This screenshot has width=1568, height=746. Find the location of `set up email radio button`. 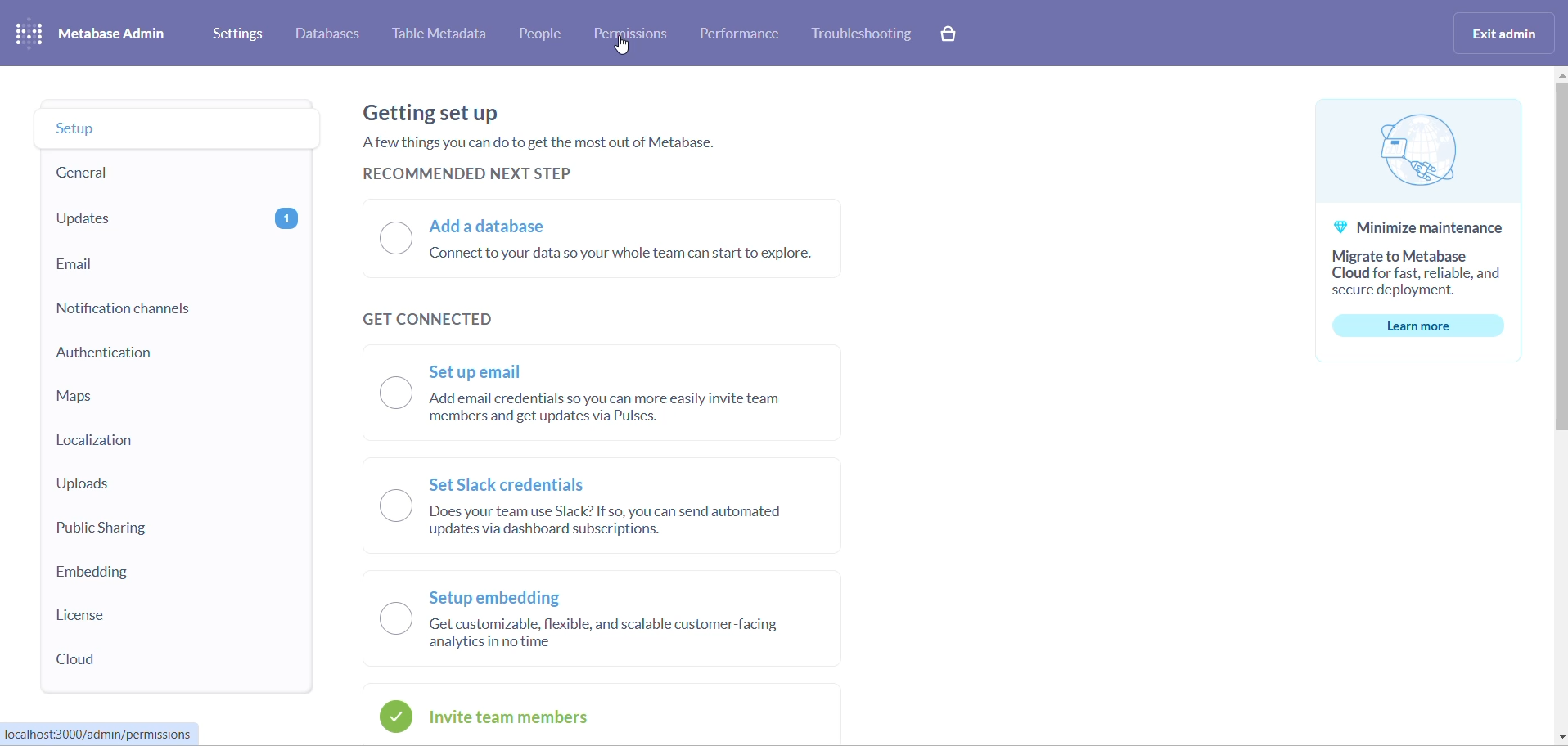

set up email radio button is located at coordinates (643, 396).